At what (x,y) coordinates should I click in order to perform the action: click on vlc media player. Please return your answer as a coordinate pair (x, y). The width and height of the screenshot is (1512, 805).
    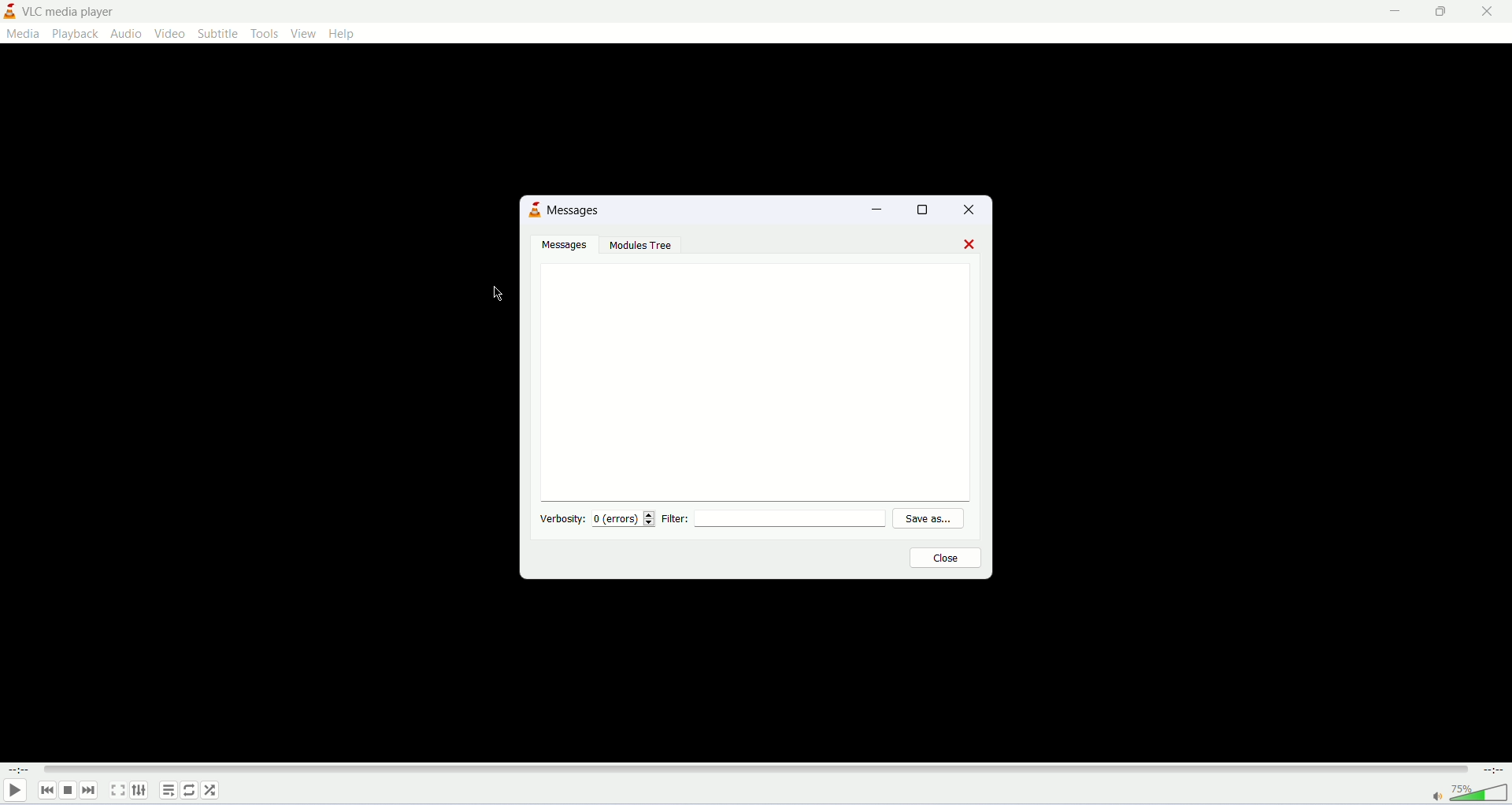
    Looking at the image, I should click on (66, 12).